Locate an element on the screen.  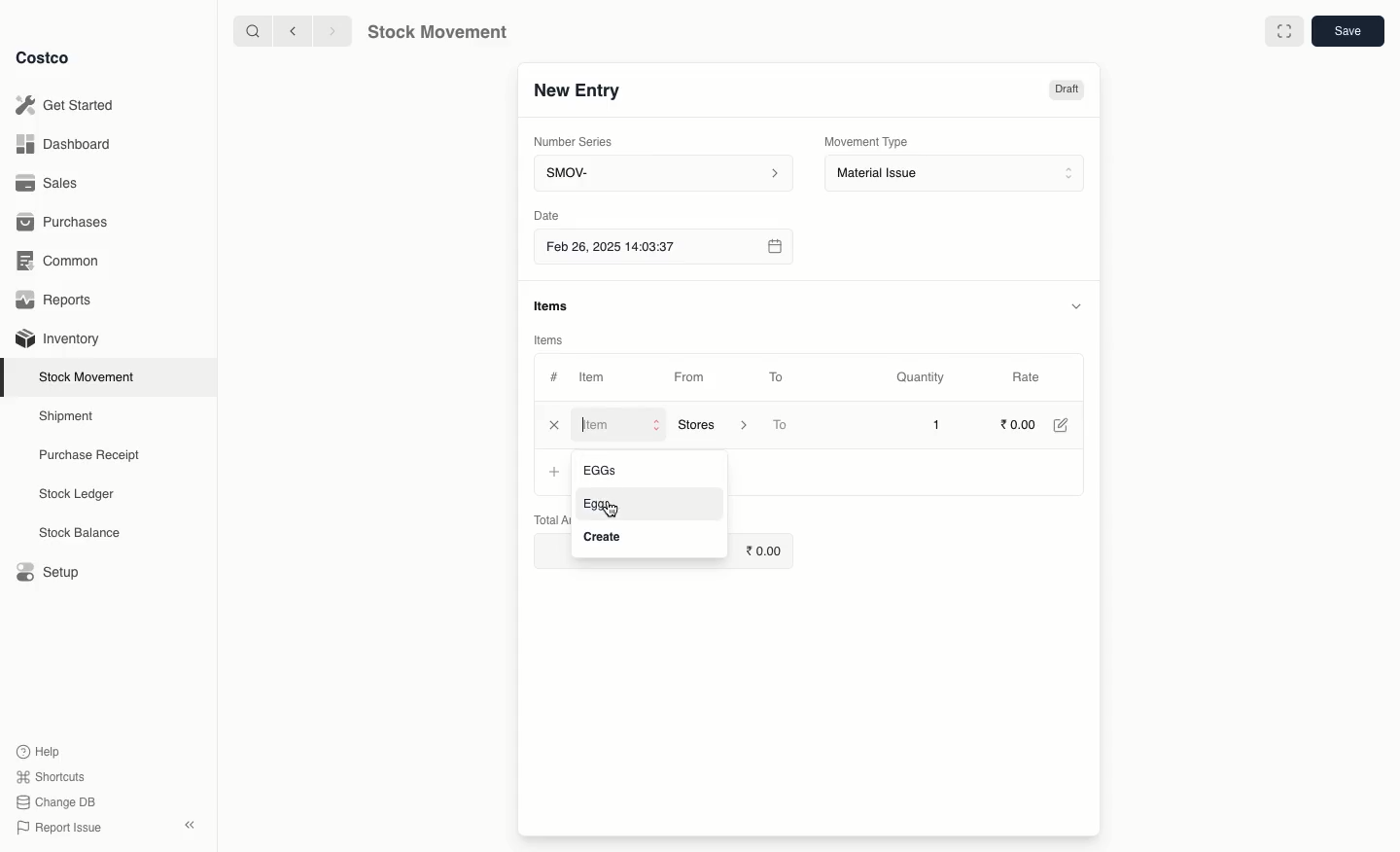
Rate is located at coordinates (1027, 374).